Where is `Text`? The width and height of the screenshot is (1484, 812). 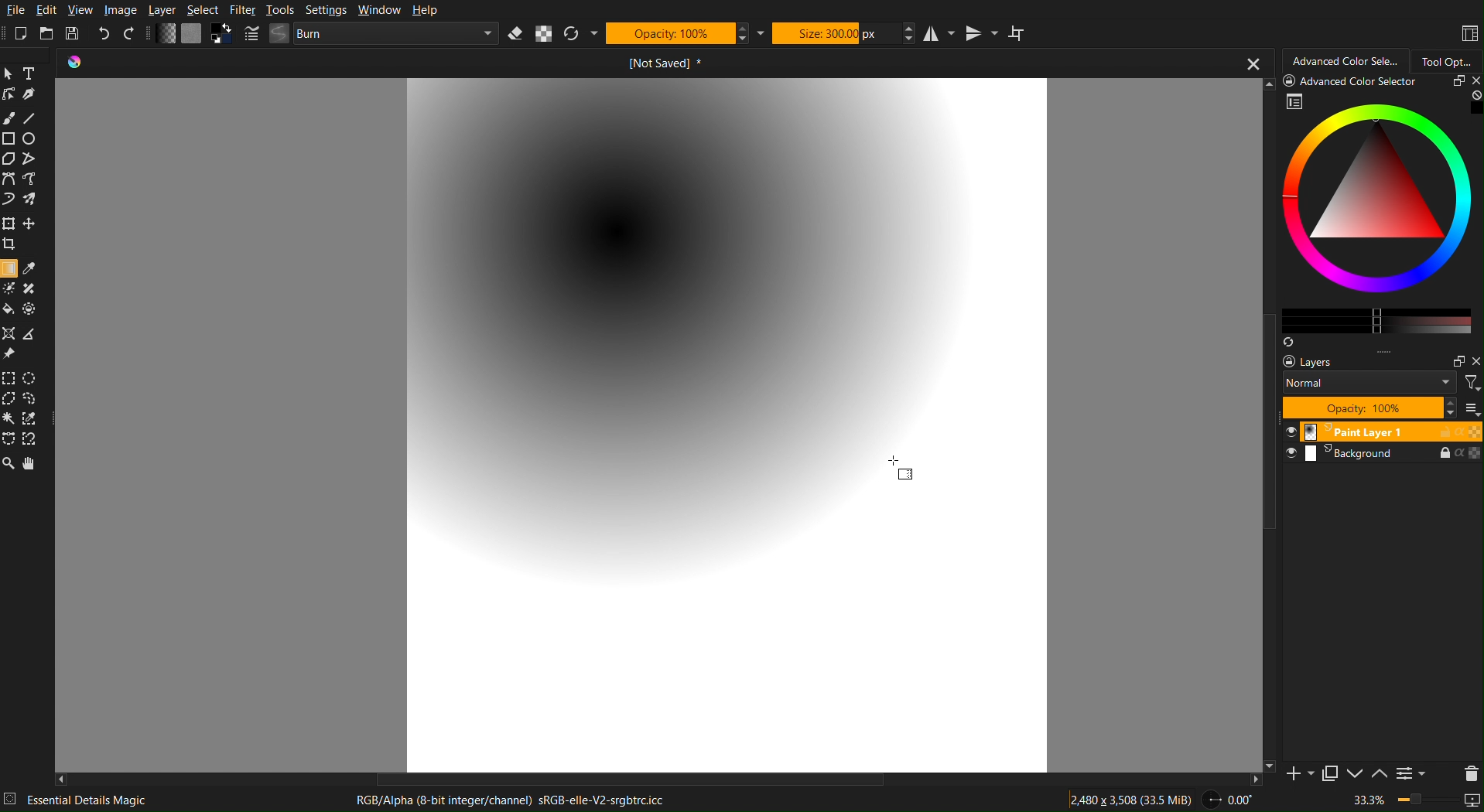 Text is located at coordinates (33, 73).